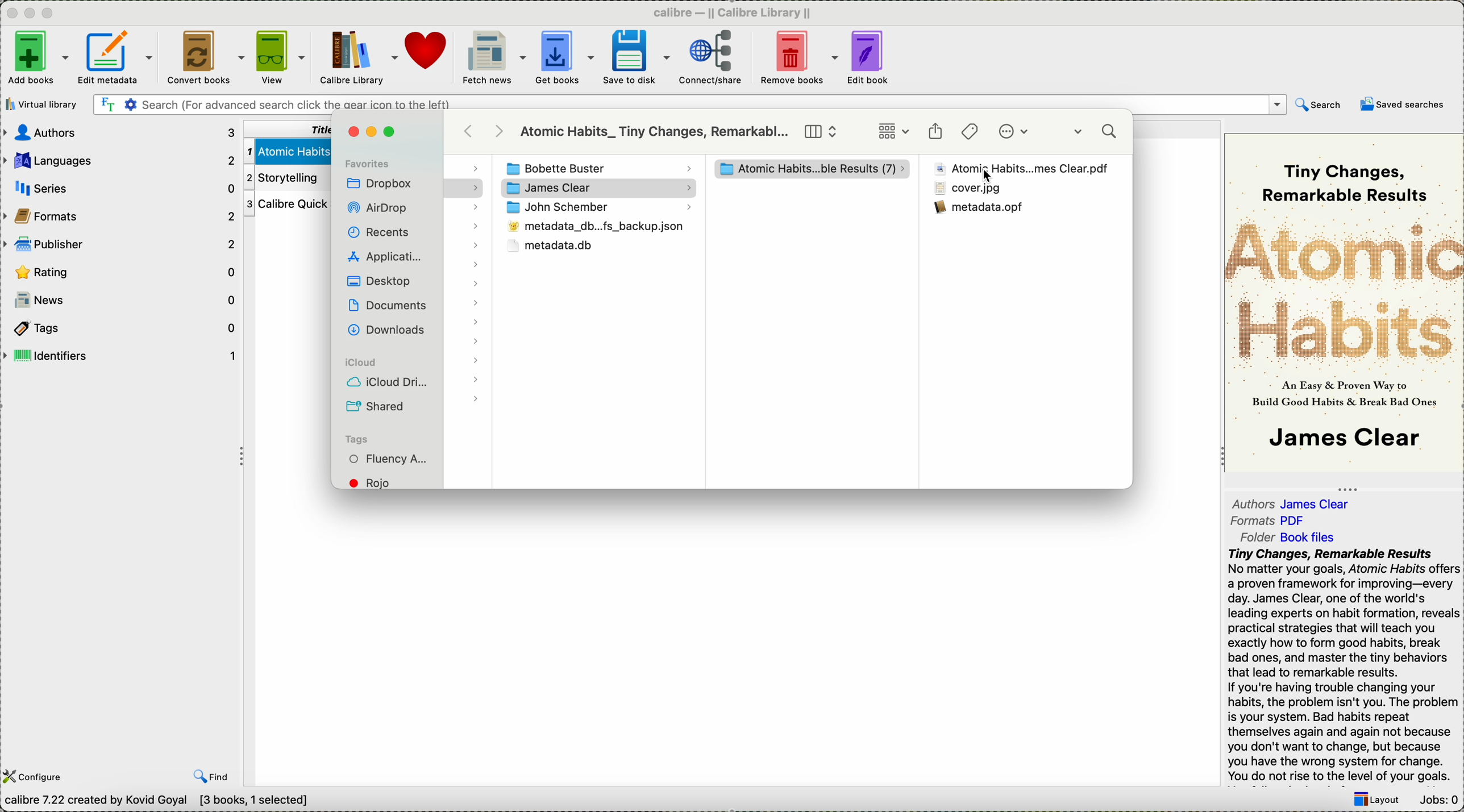 This screenshot has height=812, width=1464. Describe the element at coordinates (121, 132) in the screenshot. I see `authors` at that location.